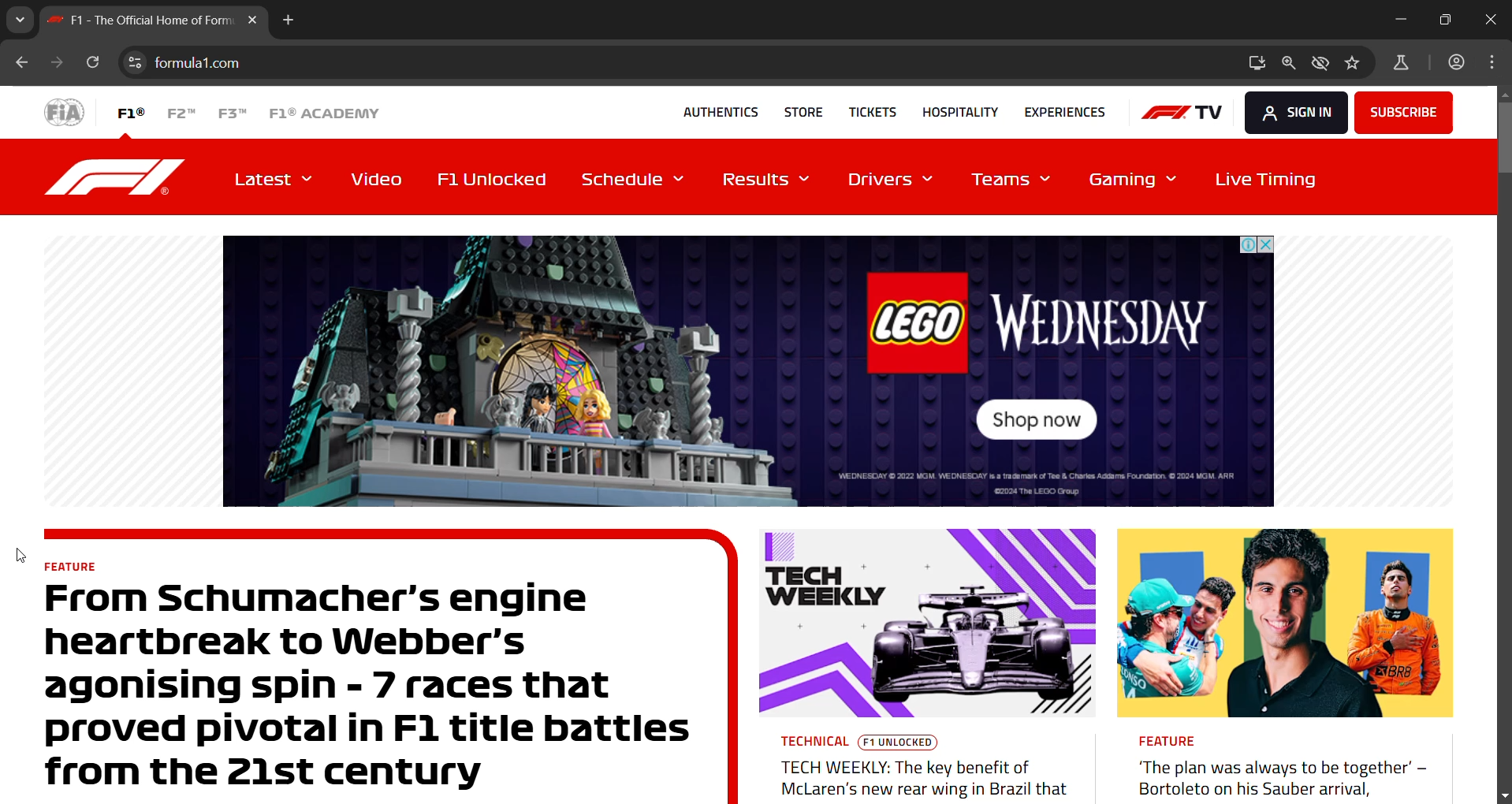  What do you see at coordinates (136, 62) in the screenshot?
I see `view site information` at bounding box center [136, 62].